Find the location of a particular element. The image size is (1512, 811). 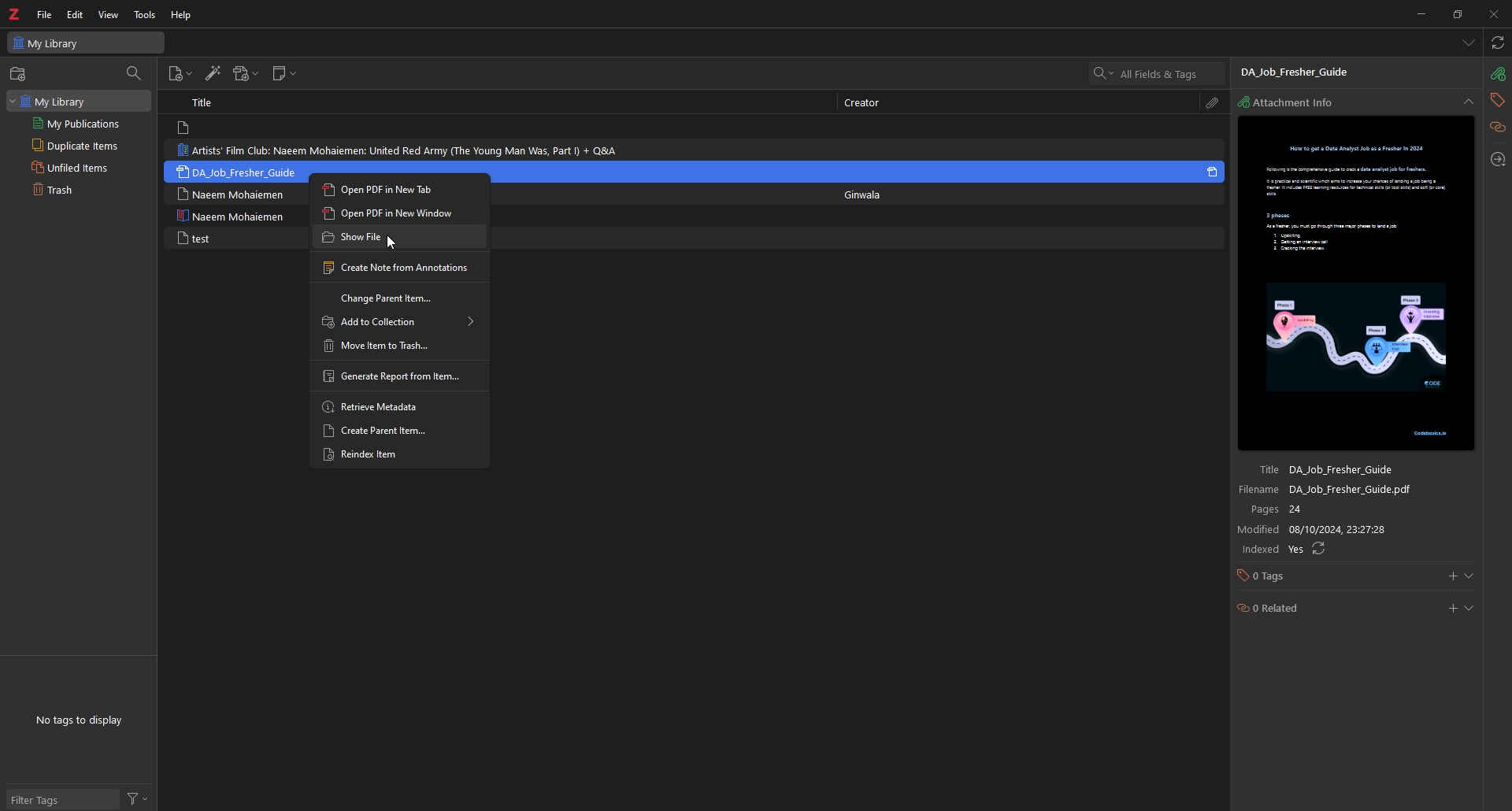

Cursor is located at coordinates (391, 243).